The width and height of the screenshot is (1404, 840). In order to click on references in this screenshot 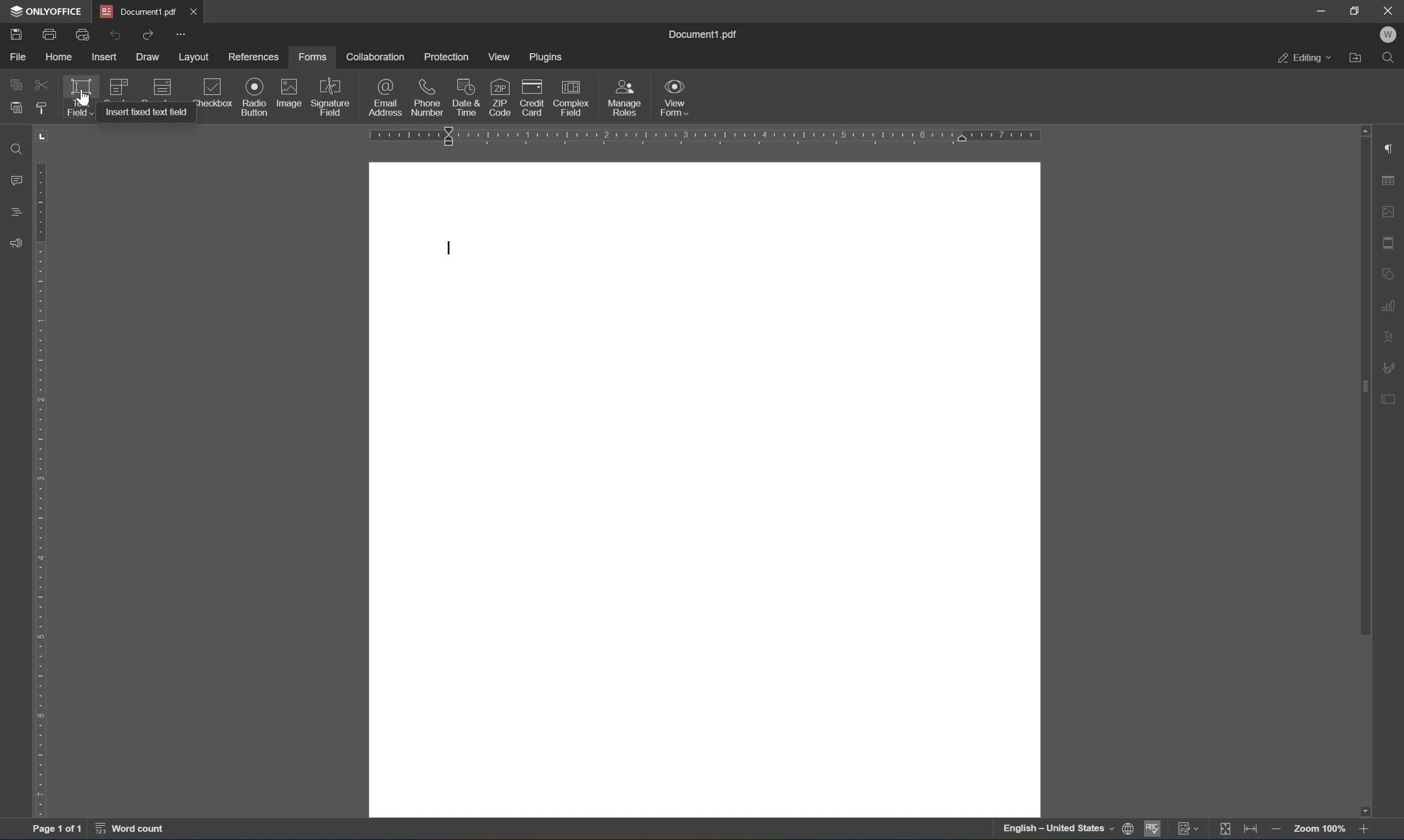, I will do `click(255, 58)`.